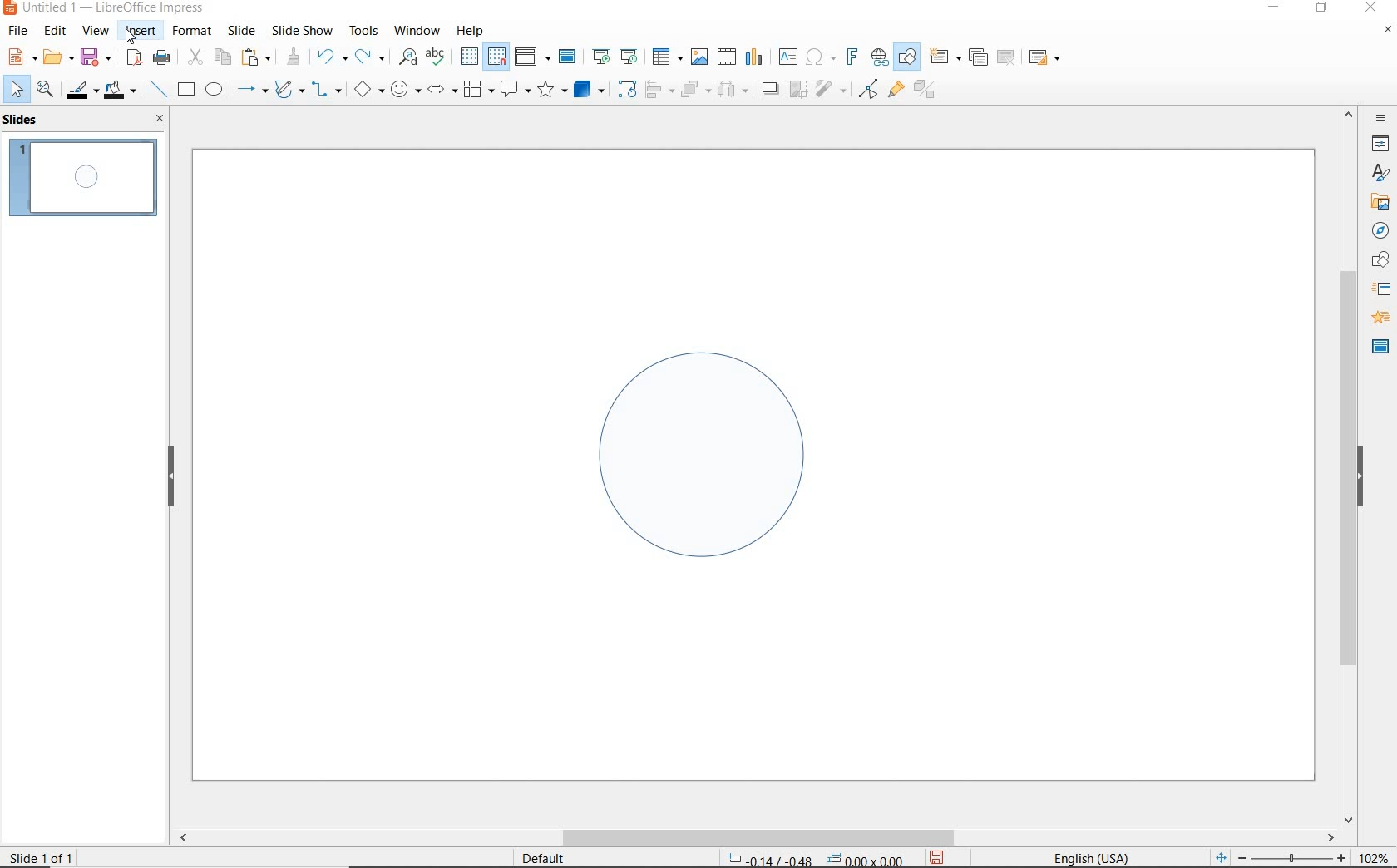  What do you see at coordinates (655, 88) in the screenshot?
I see `align objects` at bounding box center [655, 88].